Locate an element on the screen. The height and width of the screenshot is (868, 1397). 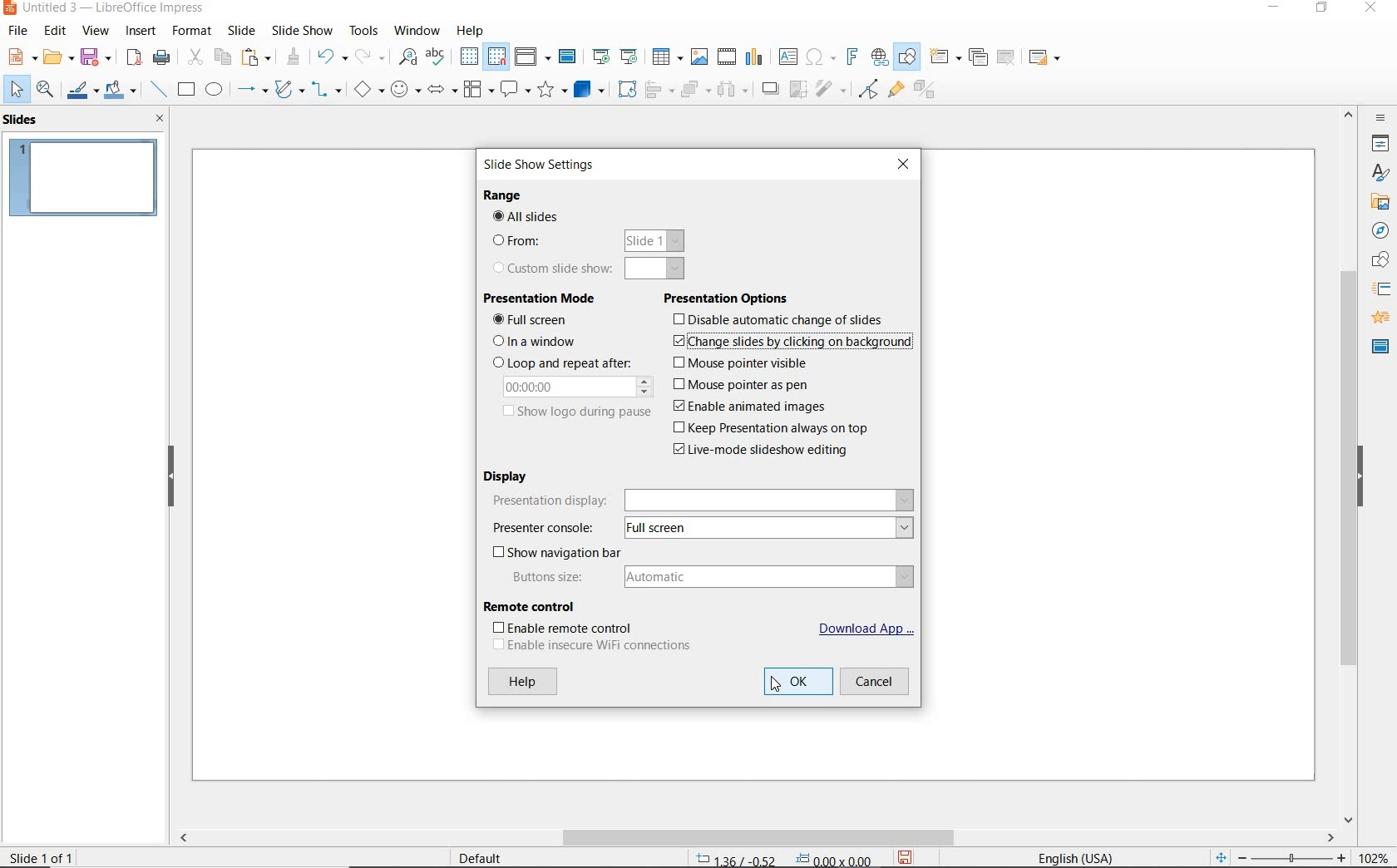
CUT is located at coordinates (196, 56).